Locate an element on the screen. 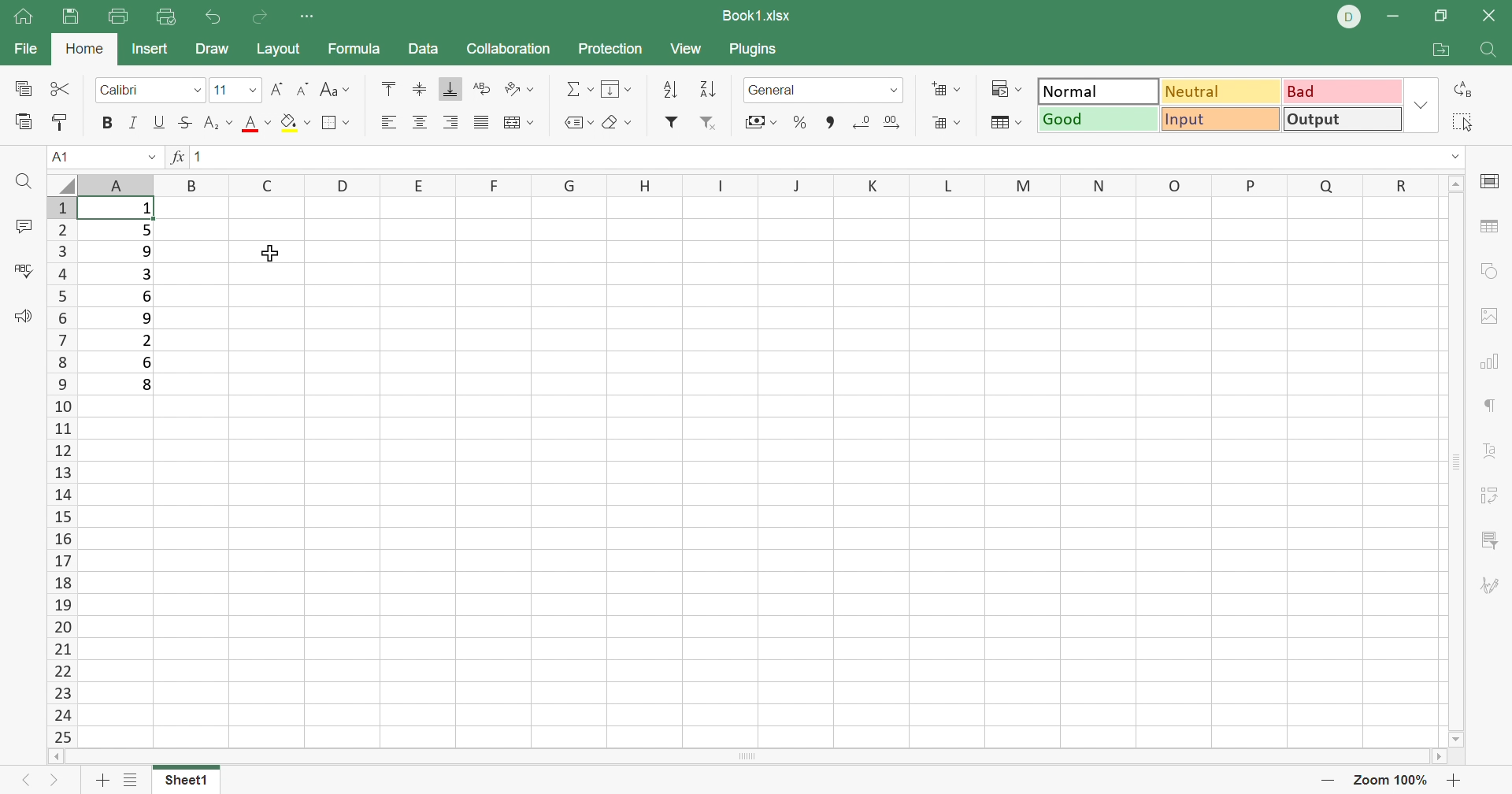 The image size is (1512, 794). Redo is located at coordinates (258, 18).